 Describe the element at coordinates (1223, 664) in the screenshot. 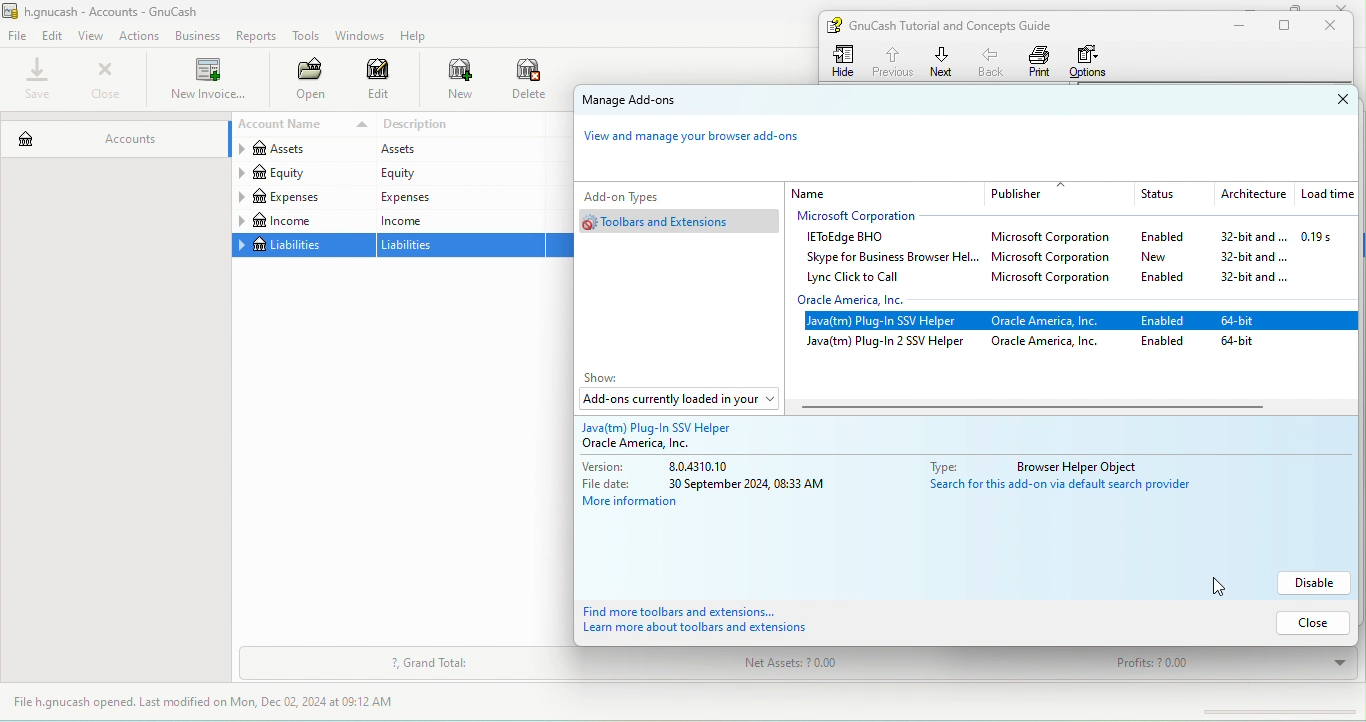

I see `profits?0.00` at that location.